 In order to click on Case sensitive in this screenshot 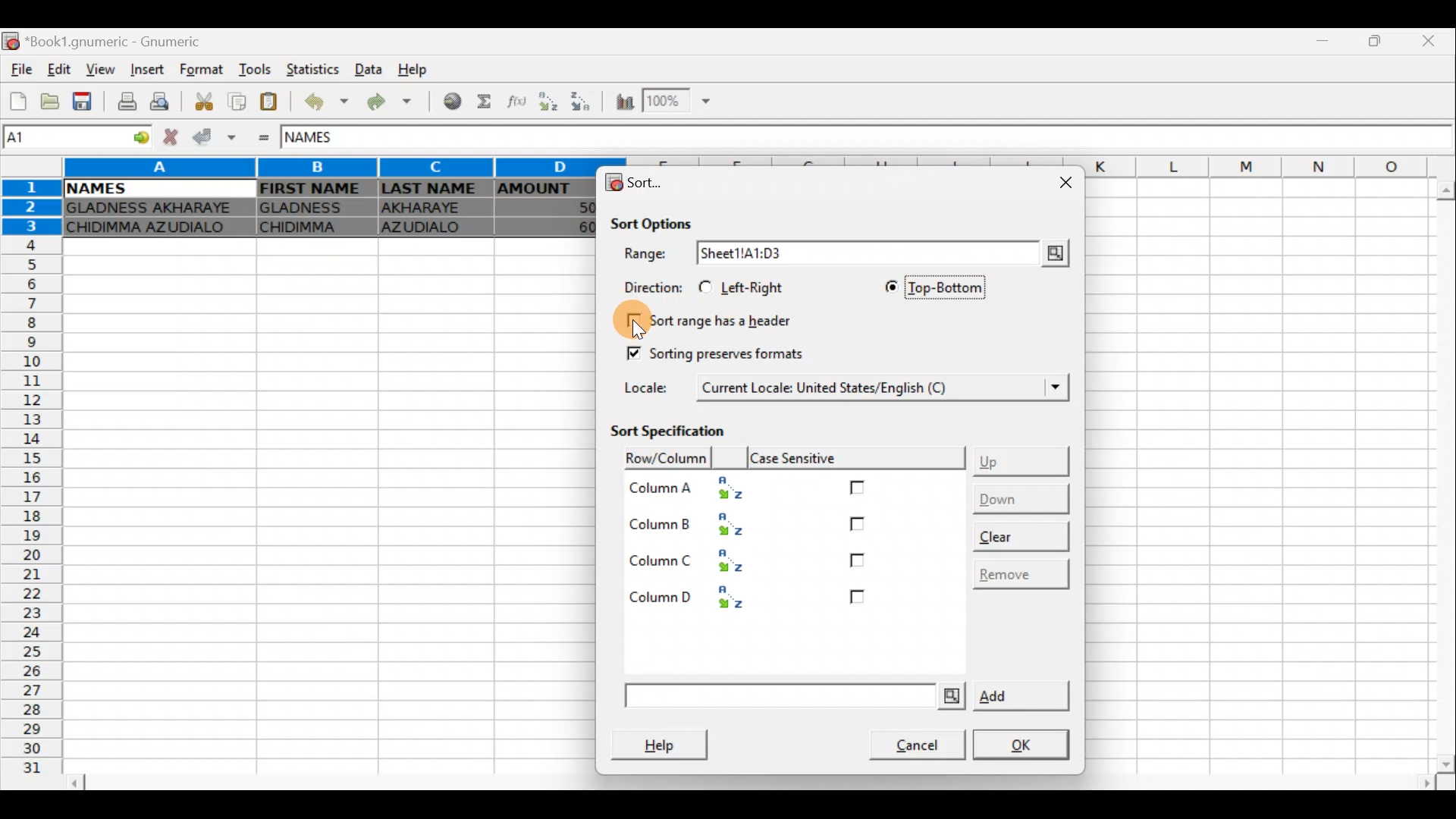, I will do `click(859, 457)`.